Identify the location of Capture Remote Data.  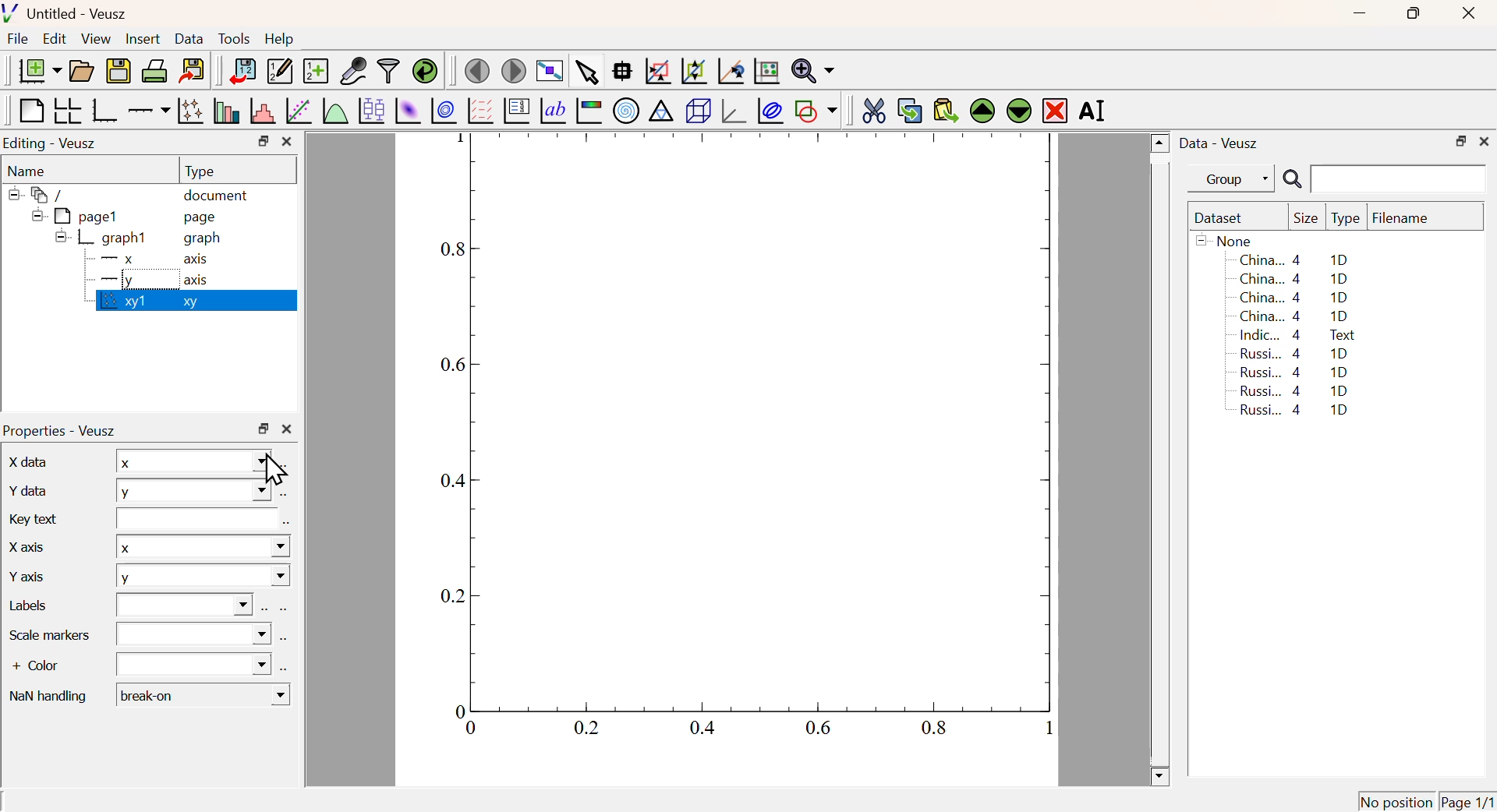
(354, 69).